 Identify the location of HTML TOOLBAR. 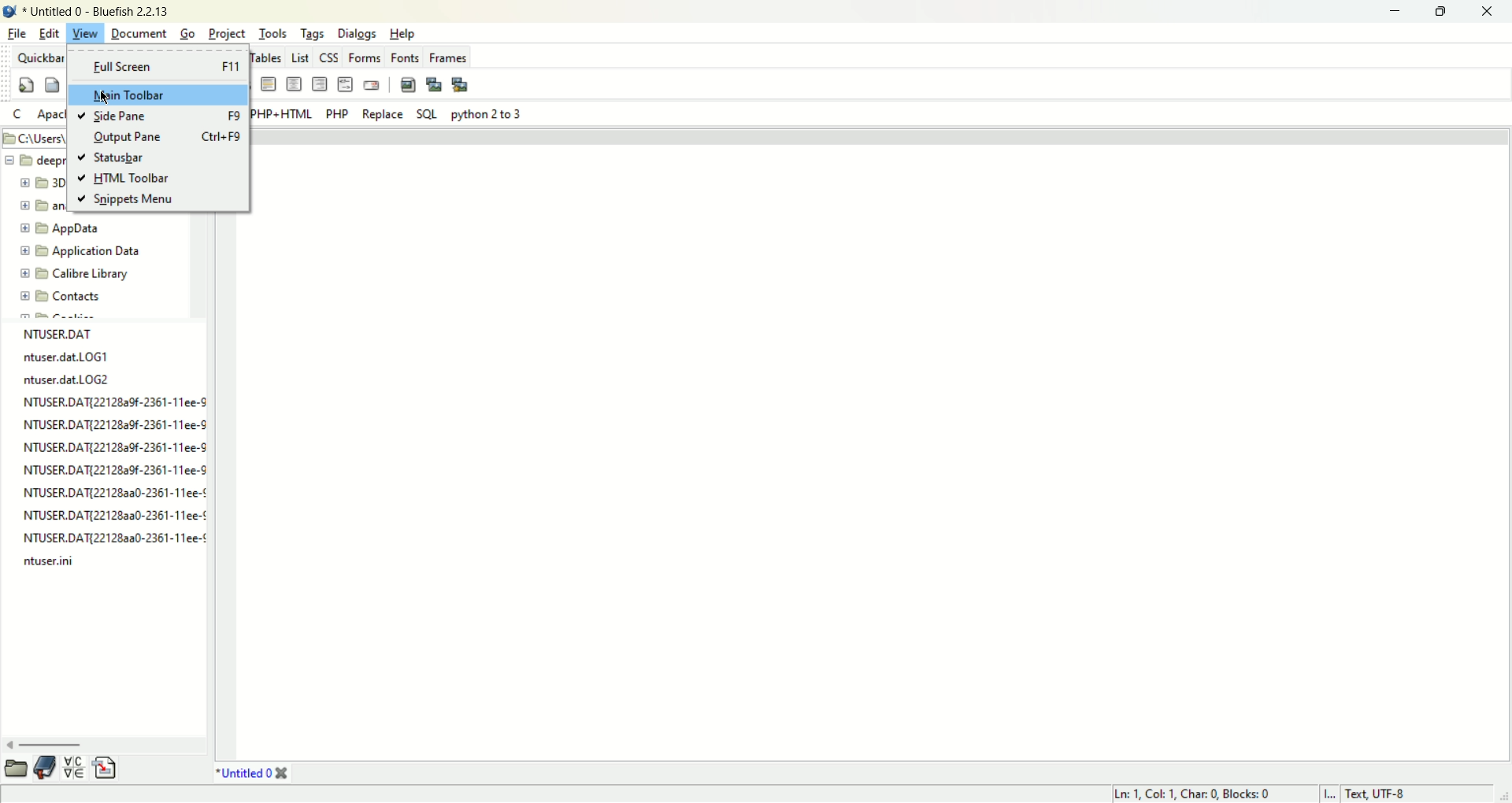
(128, 178).